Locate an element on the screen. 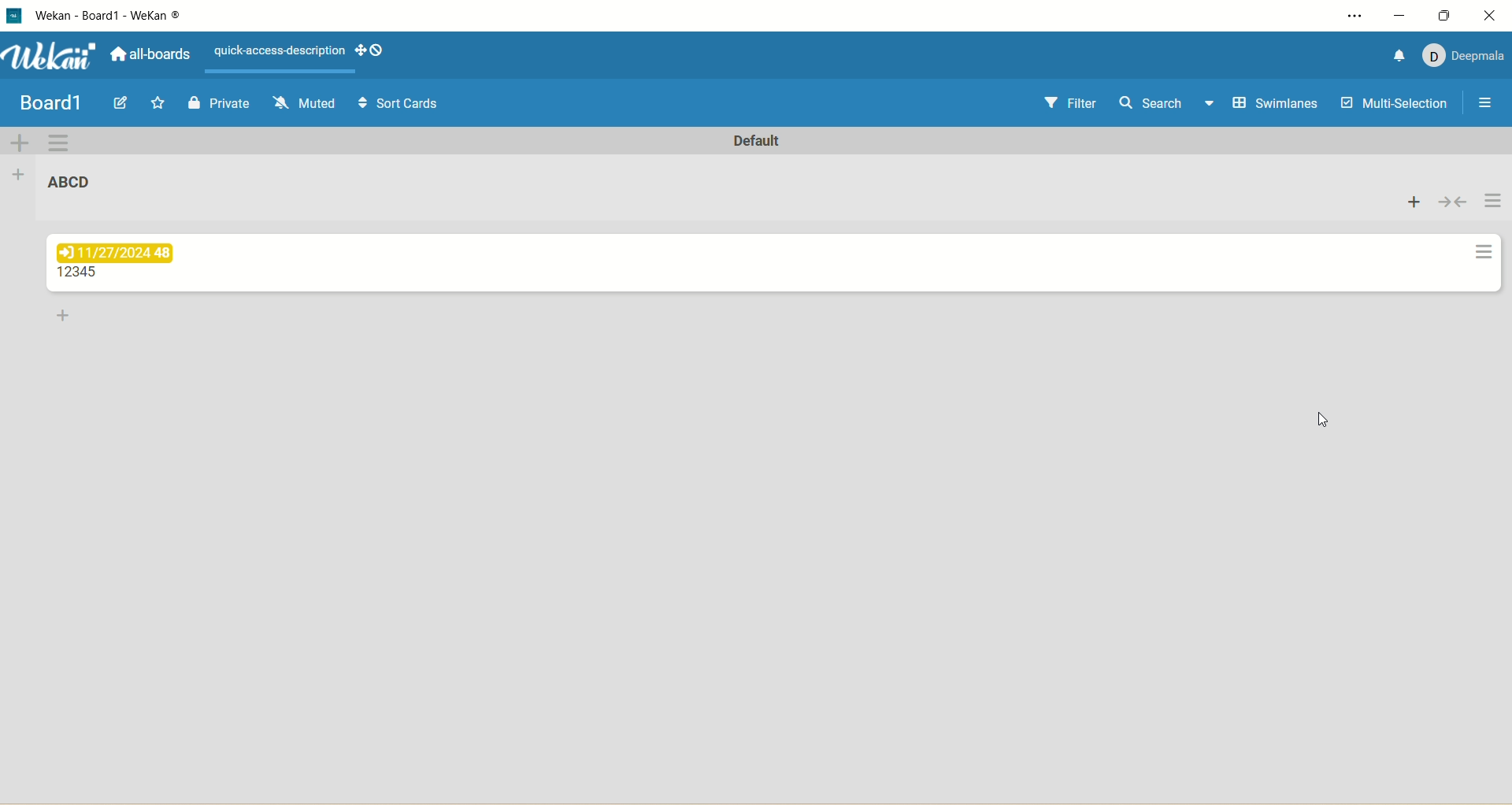 The image size is (1512, 805). sort cards is located at coordinates (402, 103).